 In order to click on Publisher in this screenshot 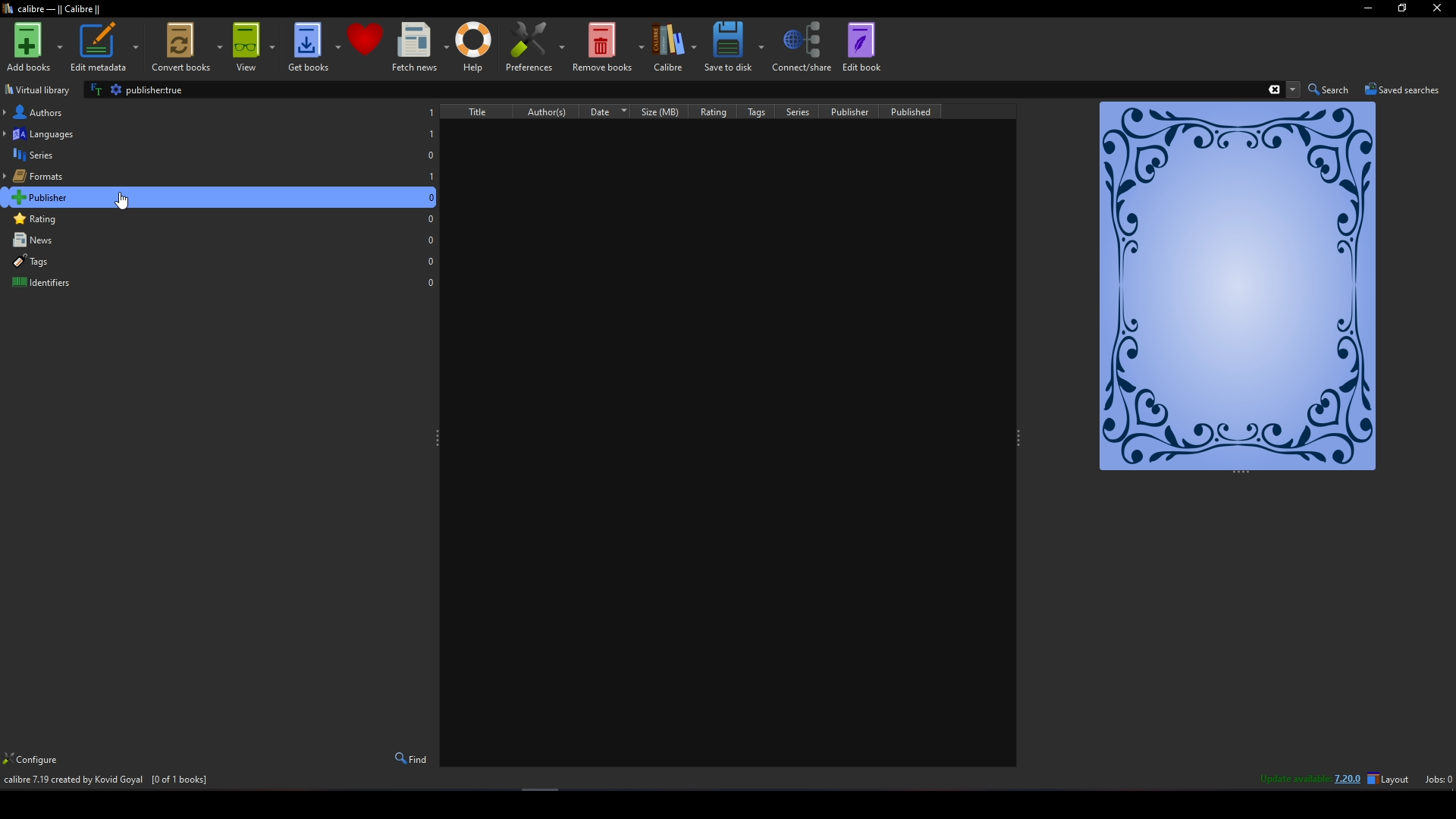, I will do `click(860, 111)`.